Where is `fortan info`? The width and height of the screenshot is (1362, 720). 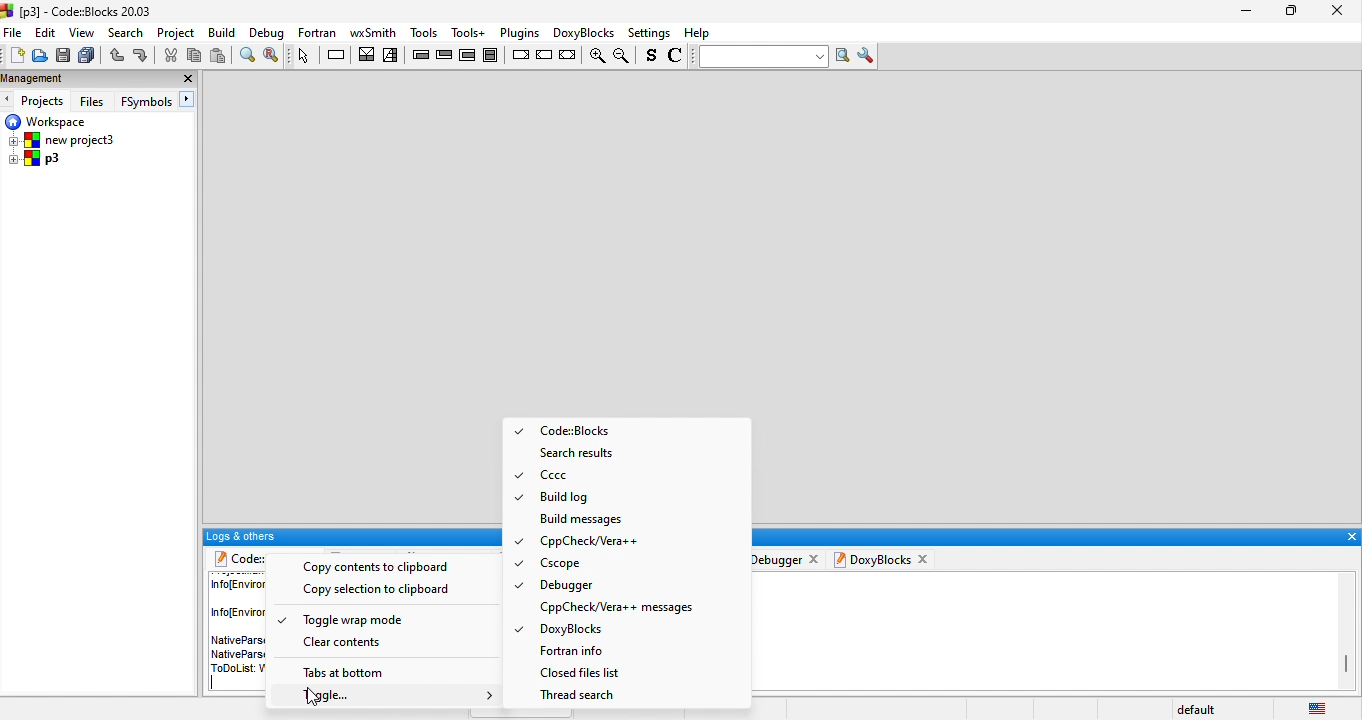 fortan info is located at coordinates (579, 650).